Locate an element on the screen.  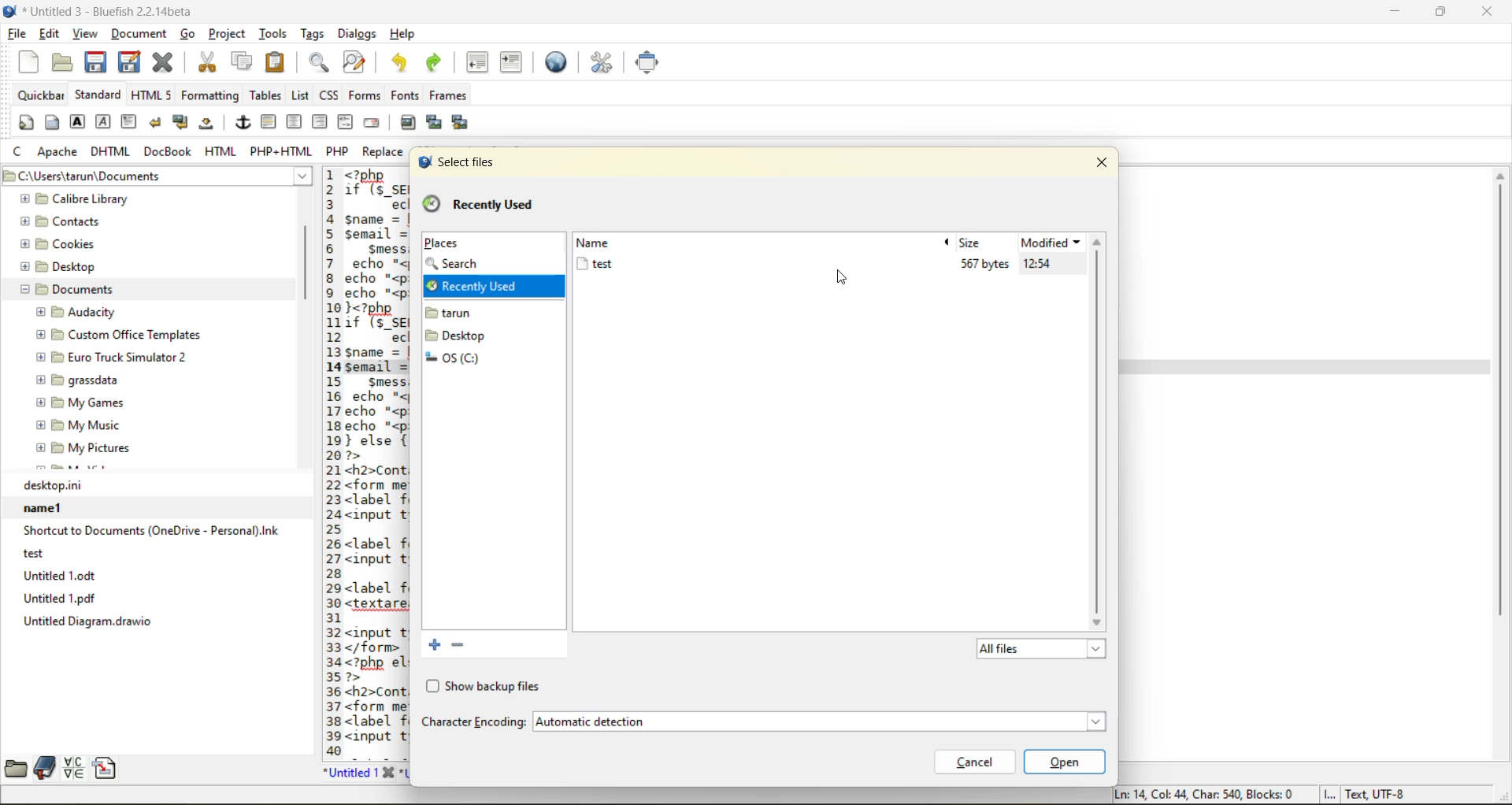
character encoding is located at coordinates (472, 722).